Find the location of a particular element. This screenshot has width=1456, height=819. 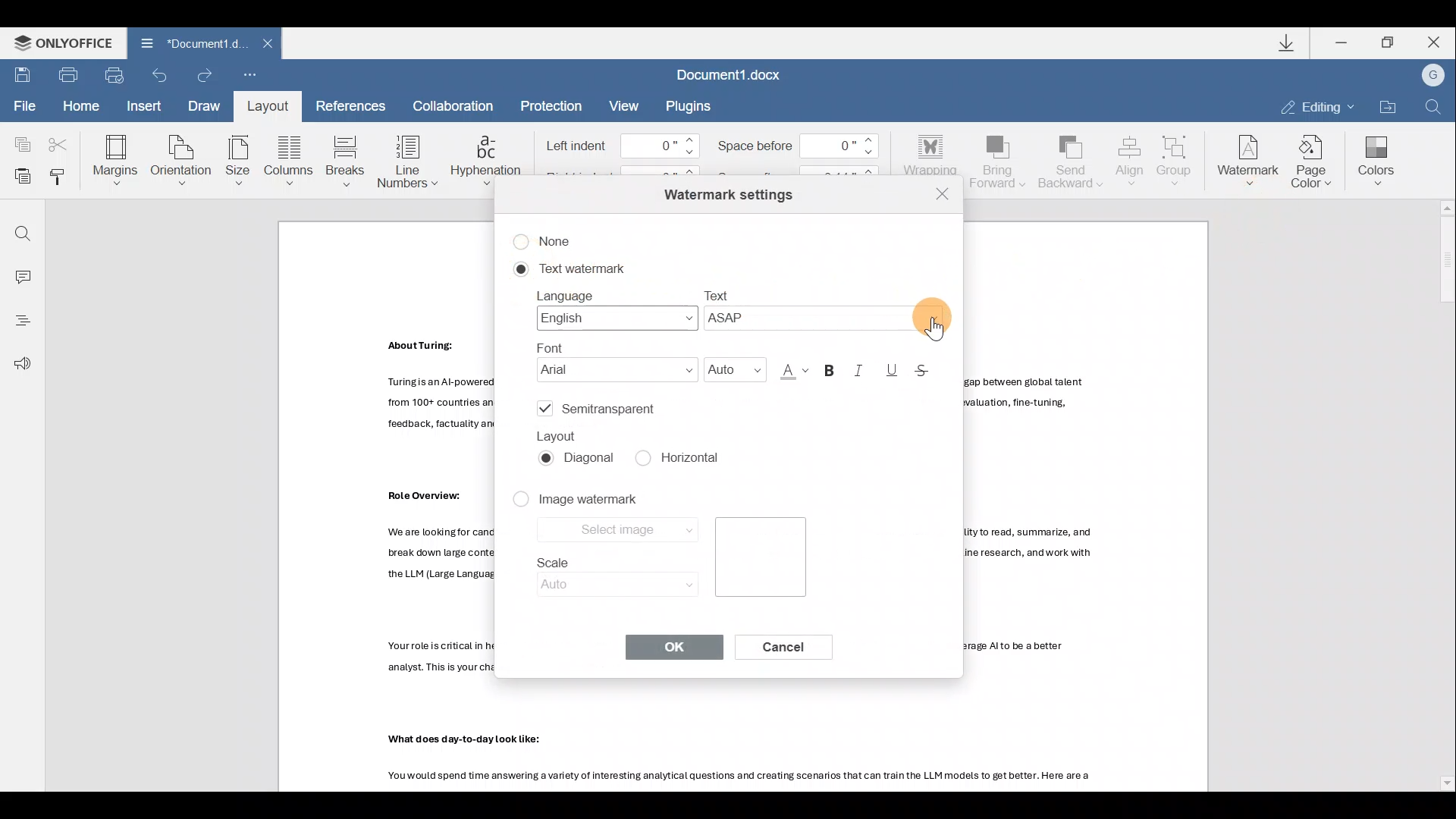

Editing mode is located at coordinates (1314, 105).